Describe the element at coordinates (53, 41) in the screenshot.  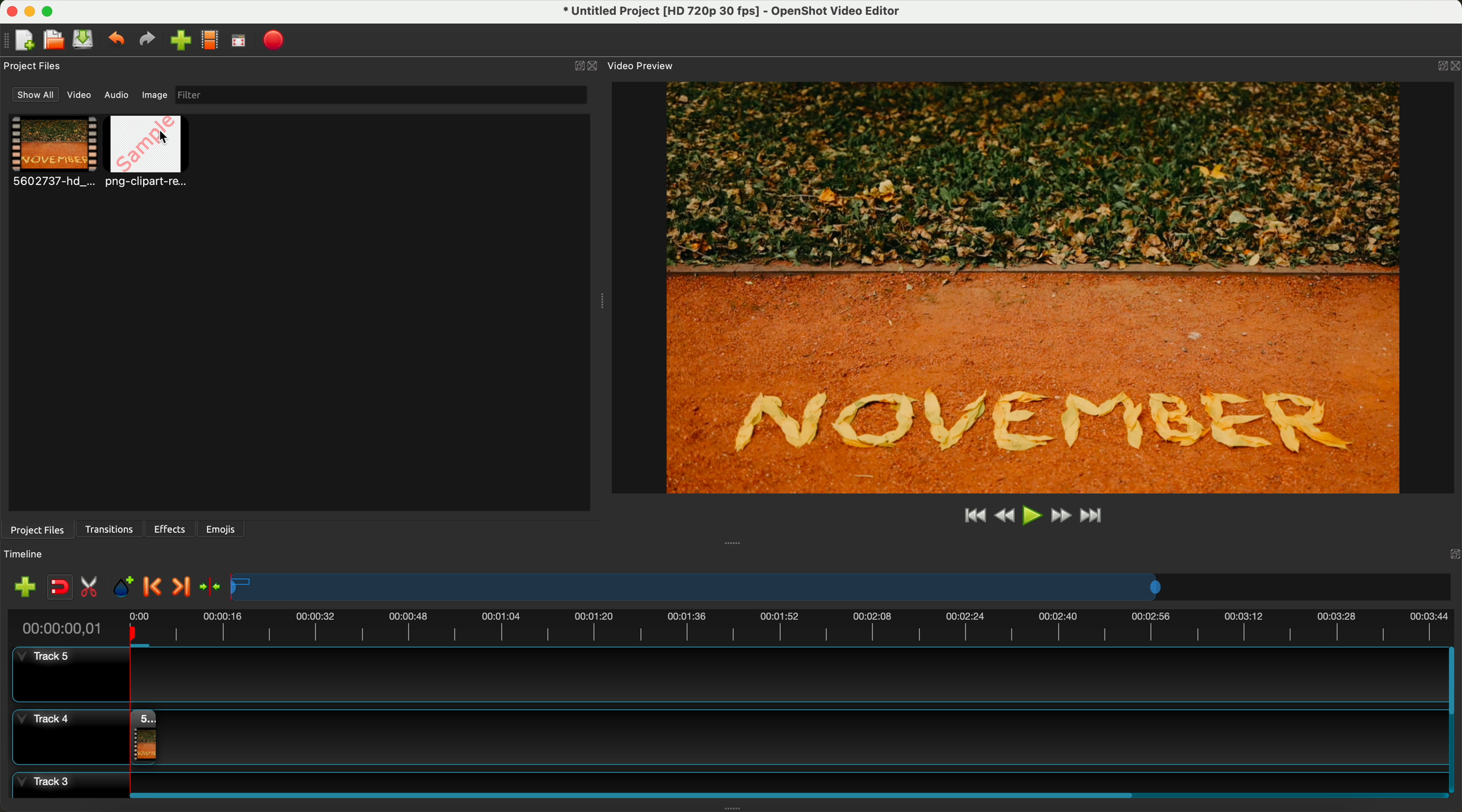
I see `open project` at that location.